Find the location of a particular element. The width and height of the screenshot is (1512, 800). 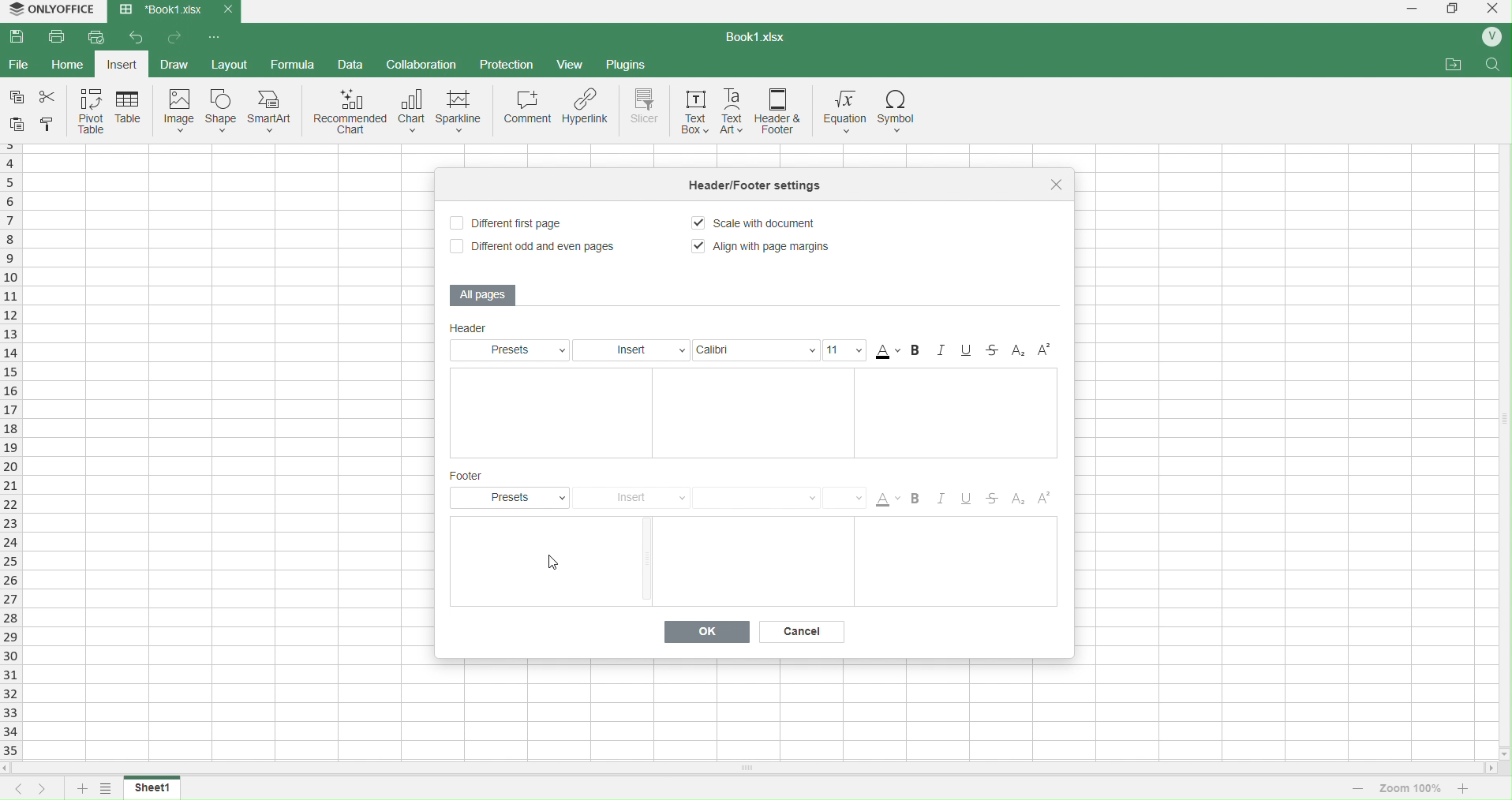

decrease zoom  is located at coordinates (1357, 787).